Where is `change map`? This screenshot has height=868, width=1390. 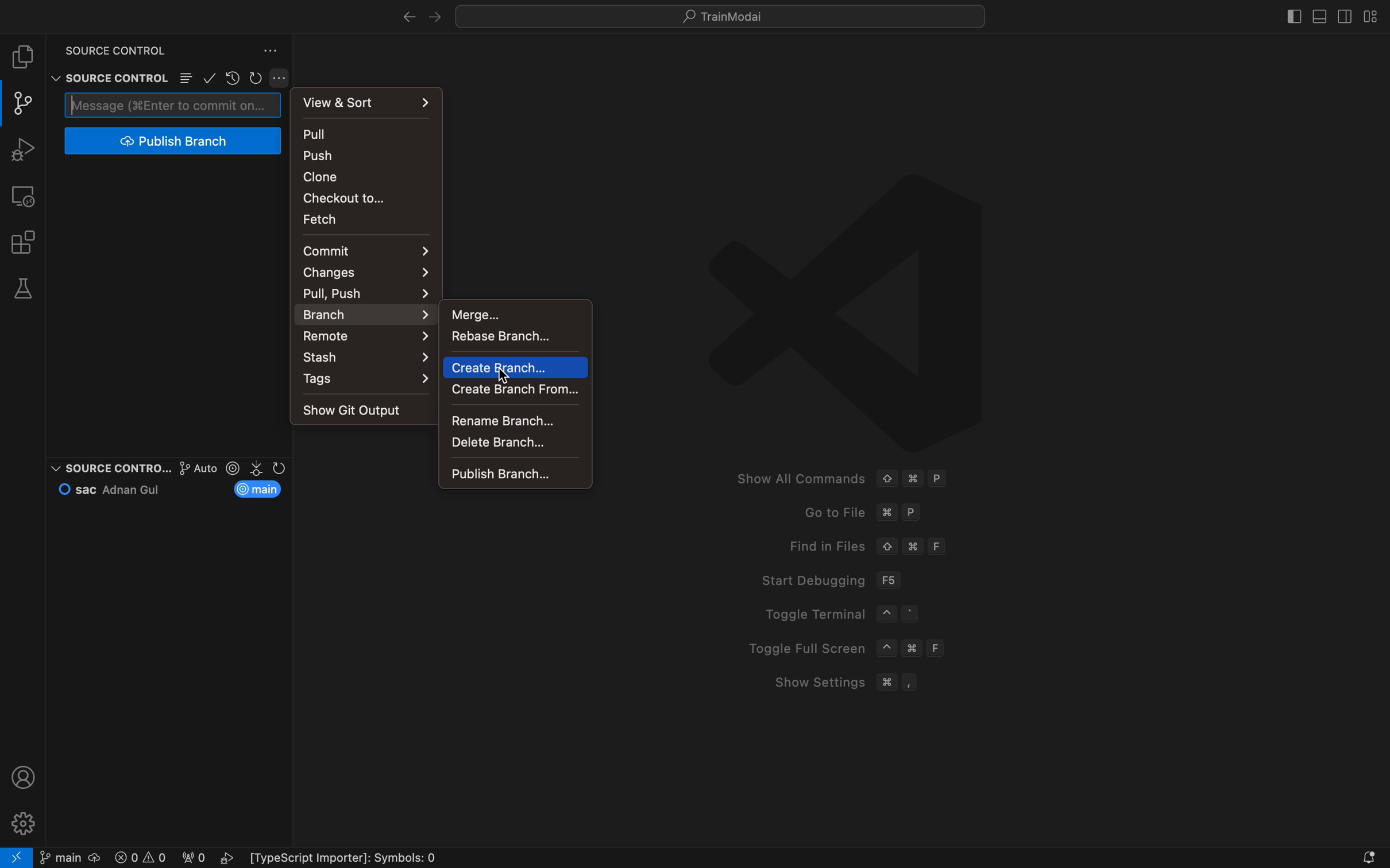
change map is located at coordinates (368, 273).